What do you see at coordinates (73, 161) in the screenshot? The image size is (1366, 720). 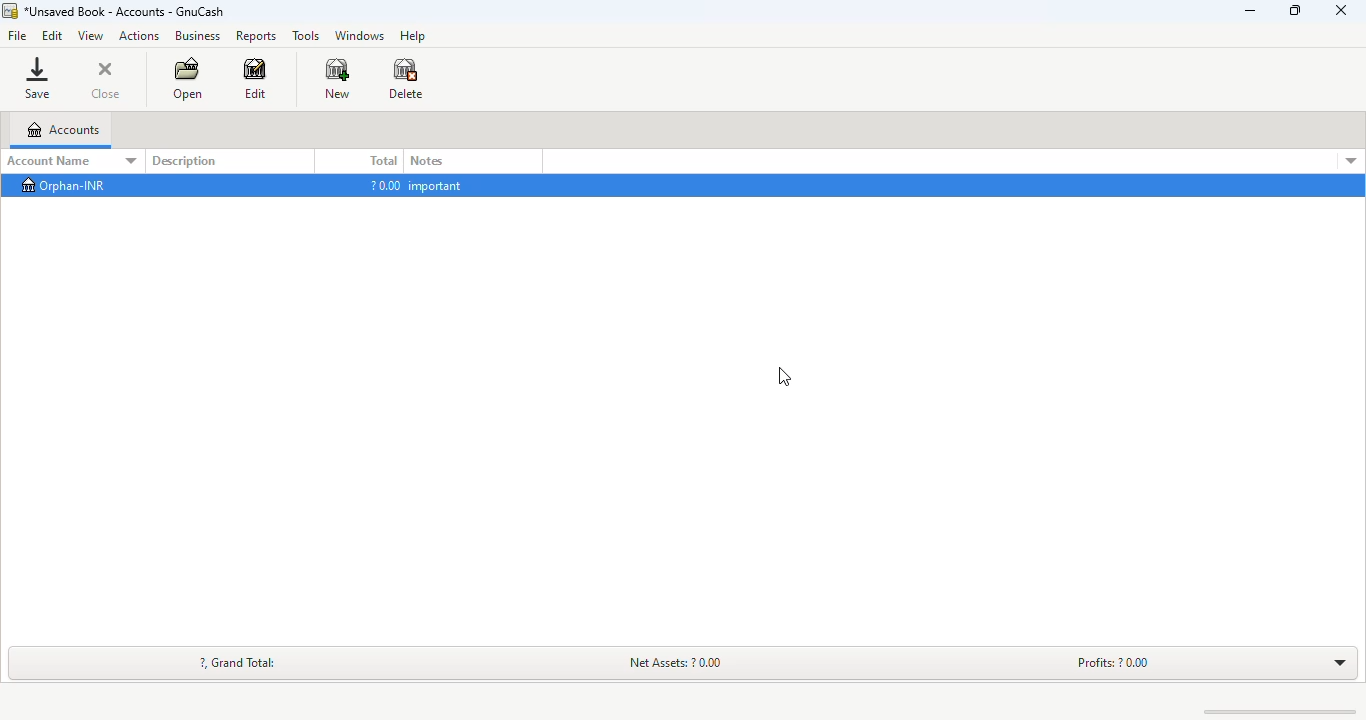 I see `account name` at bounding box center [73, 161].